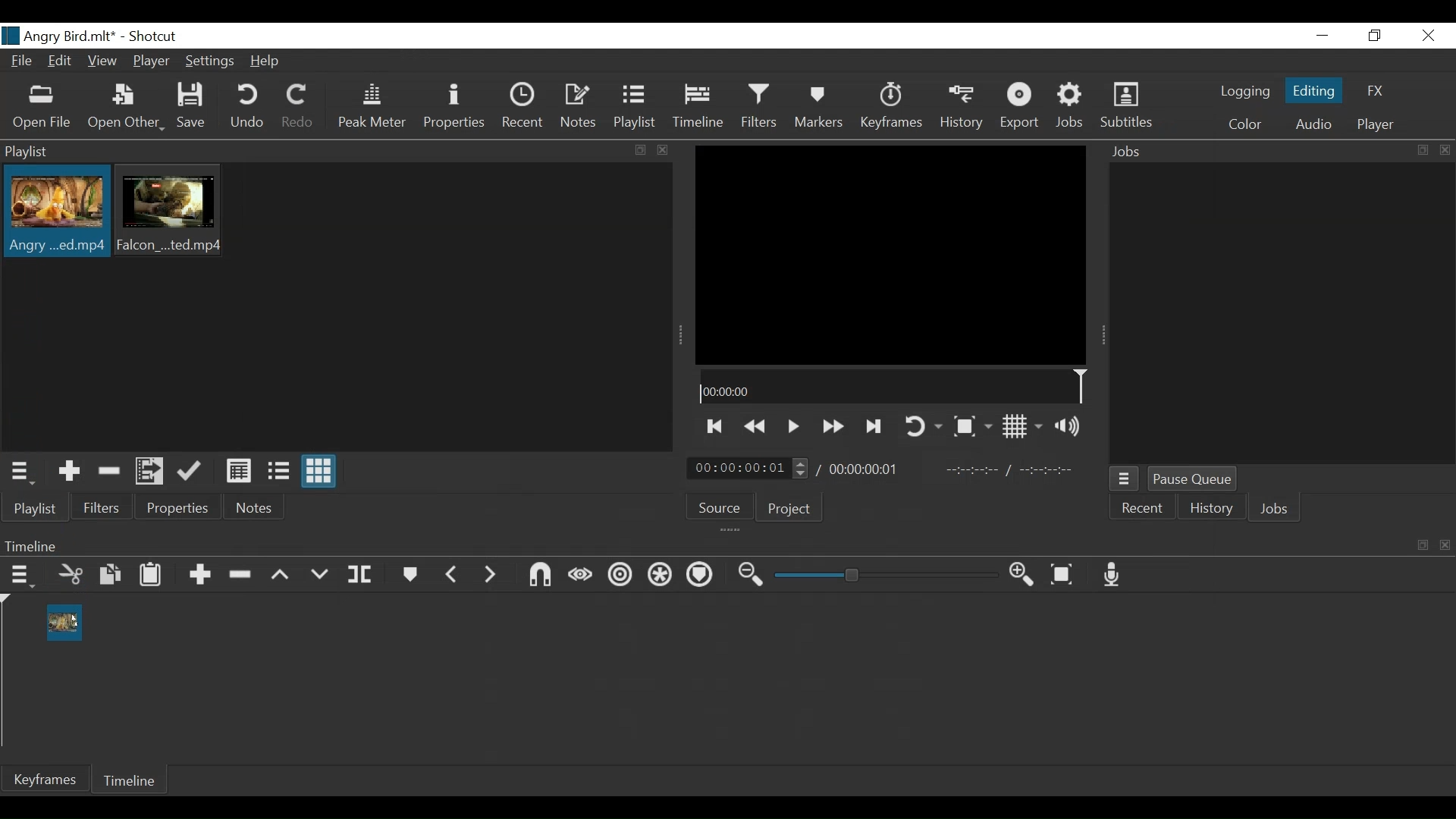 This screenshot has width=1456, height=819. What do you see at coordinates (893, 386) in the screenshot?
I see `Timeline` at bounding box center [893, 386].